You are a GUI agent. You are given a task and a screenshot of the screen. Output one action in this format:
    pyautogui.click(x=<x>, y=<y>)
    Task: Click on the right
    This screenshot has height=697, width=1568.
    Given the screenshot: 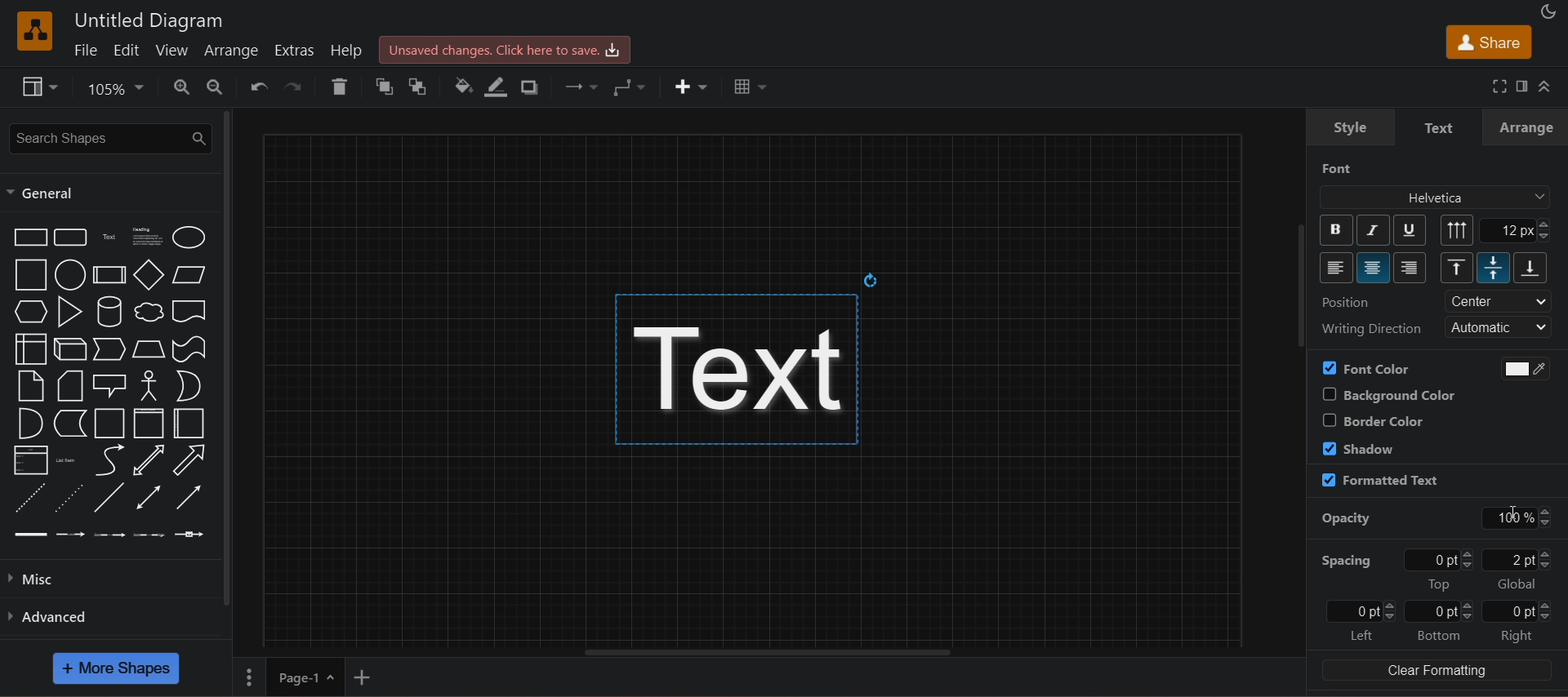 What is the action you would take?
    pyautogui.click(x=1518, y=637)
    